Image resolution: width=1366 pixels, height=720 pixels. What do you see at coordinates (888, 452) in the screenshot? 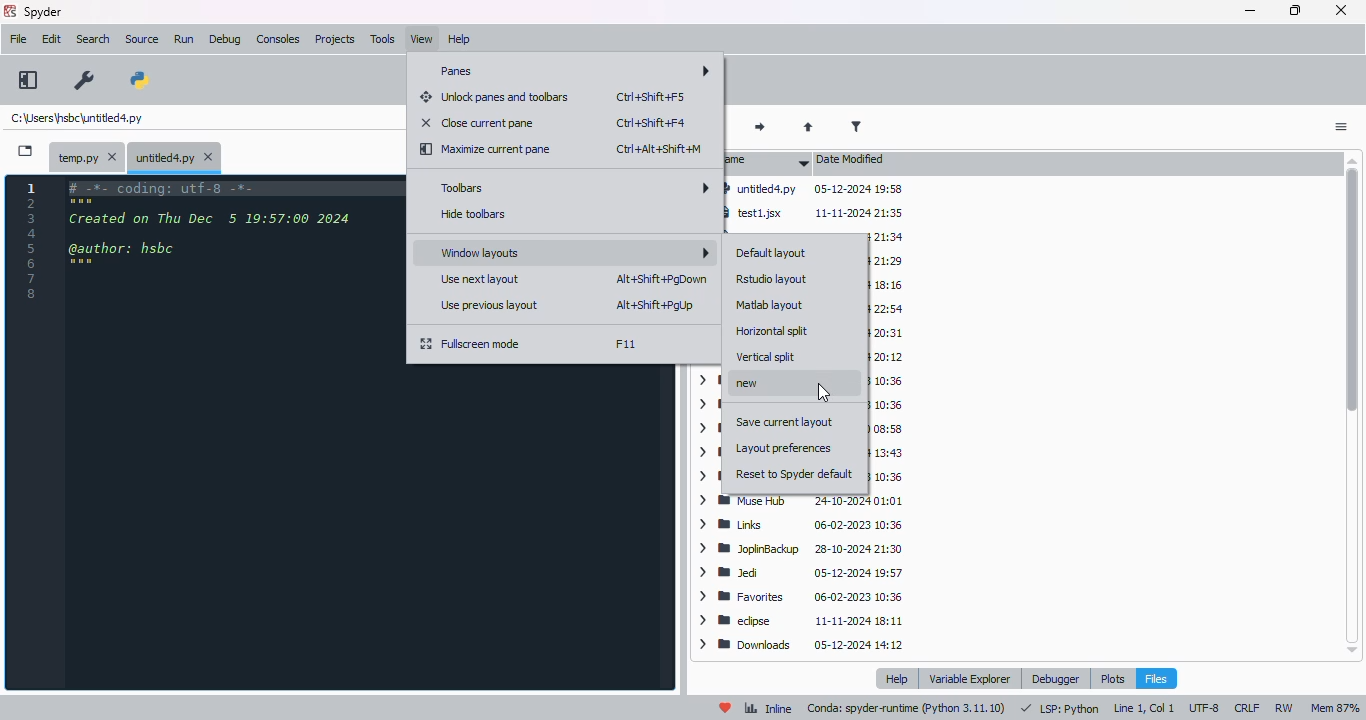
I see `one drive` at bounding box center [888, 452].